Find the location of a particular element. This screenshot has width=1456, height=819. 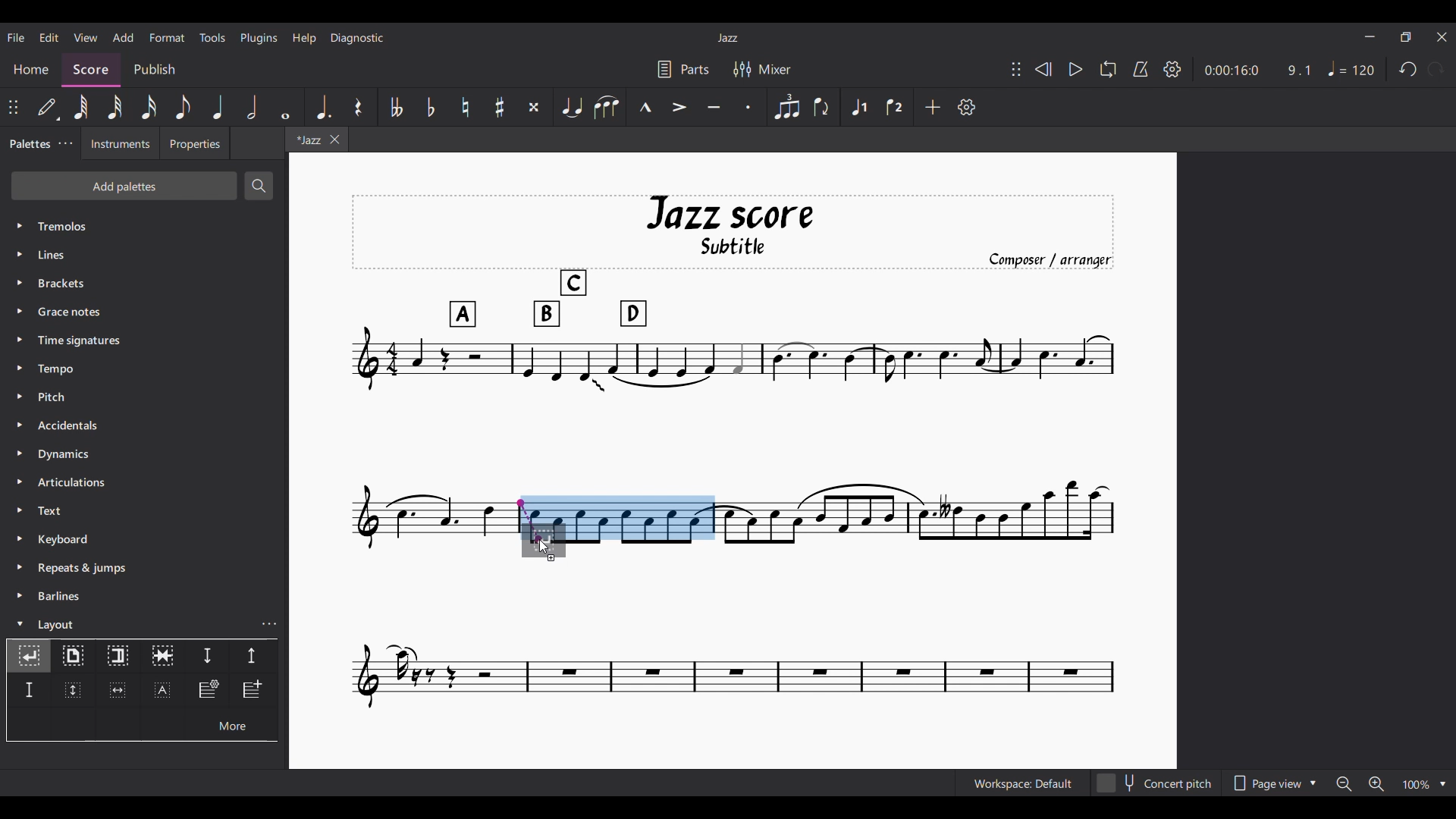

Play is located at coordinates (1076, 69).